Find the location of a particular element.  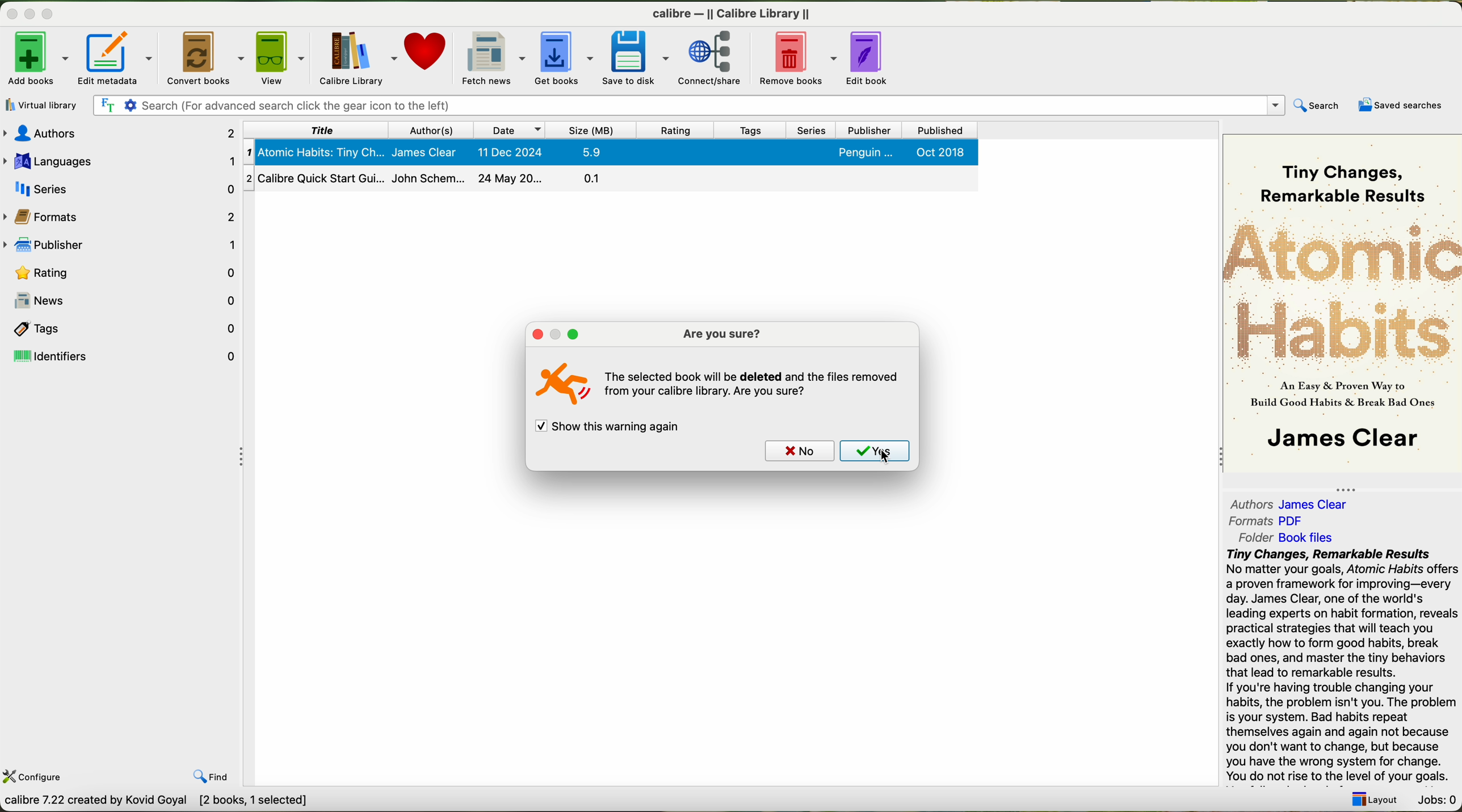

configure is located at coordinates (36, 777).